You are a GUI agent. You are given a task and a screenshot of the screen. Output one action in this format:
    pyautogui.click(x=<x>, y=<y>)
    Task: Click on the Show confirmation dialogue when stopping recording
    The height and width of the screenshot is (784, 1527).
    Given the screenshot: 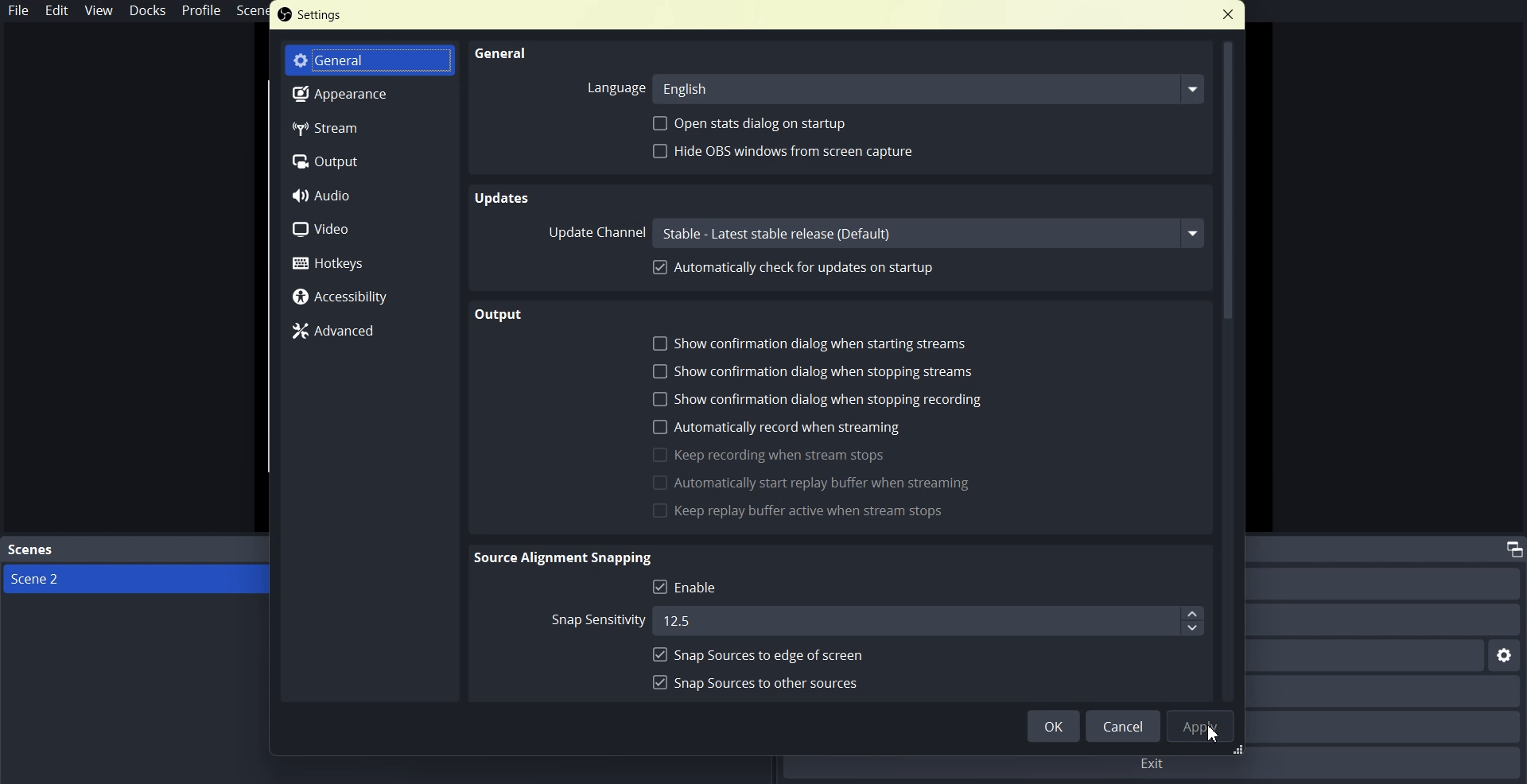 What is the action you would take?
    pyautogui.click(x=818, y=398)
    